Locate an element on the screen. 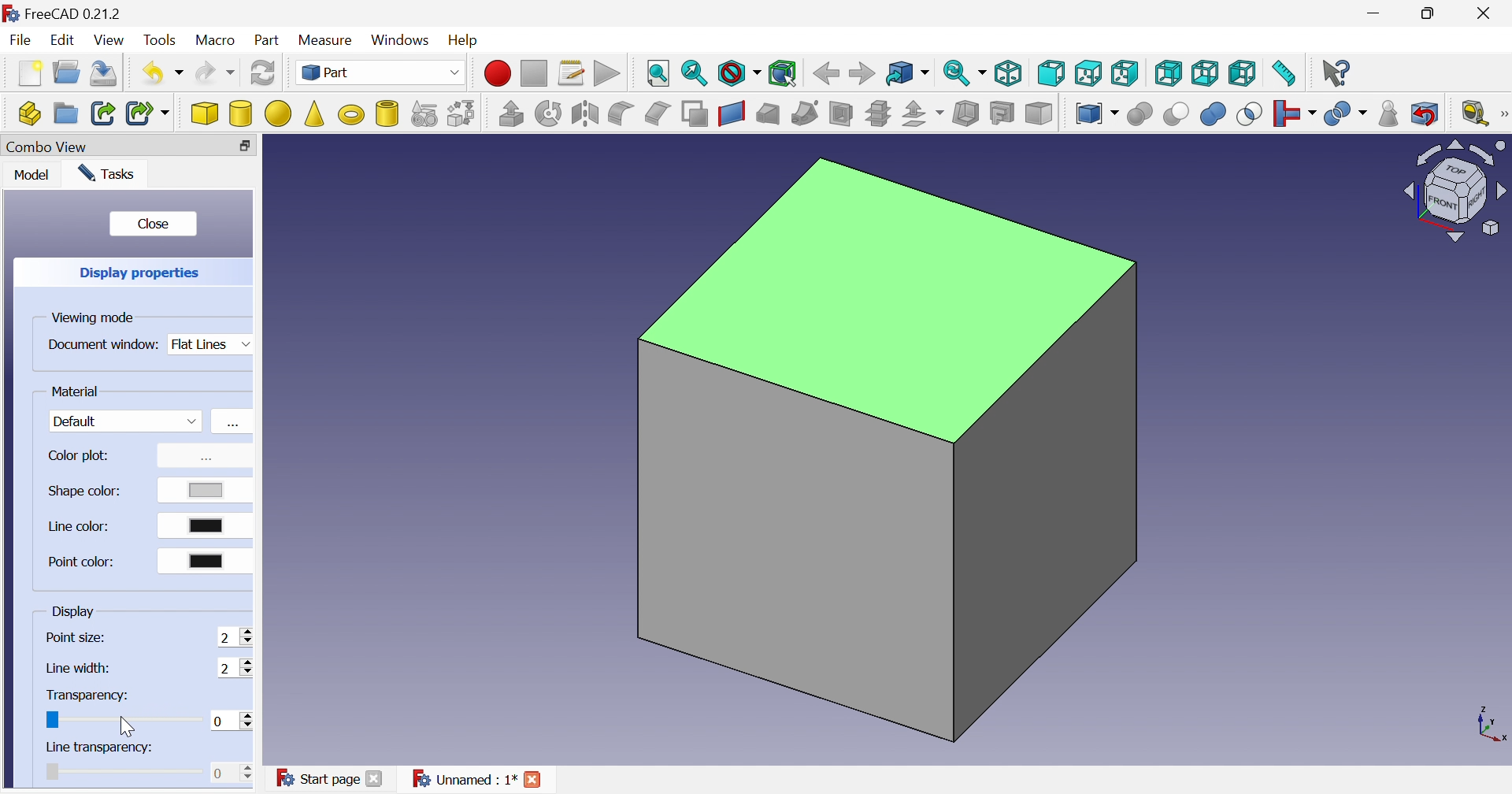 This screenshot has width=1512, height=794. Restore down is located at coordinates (1431, 14).